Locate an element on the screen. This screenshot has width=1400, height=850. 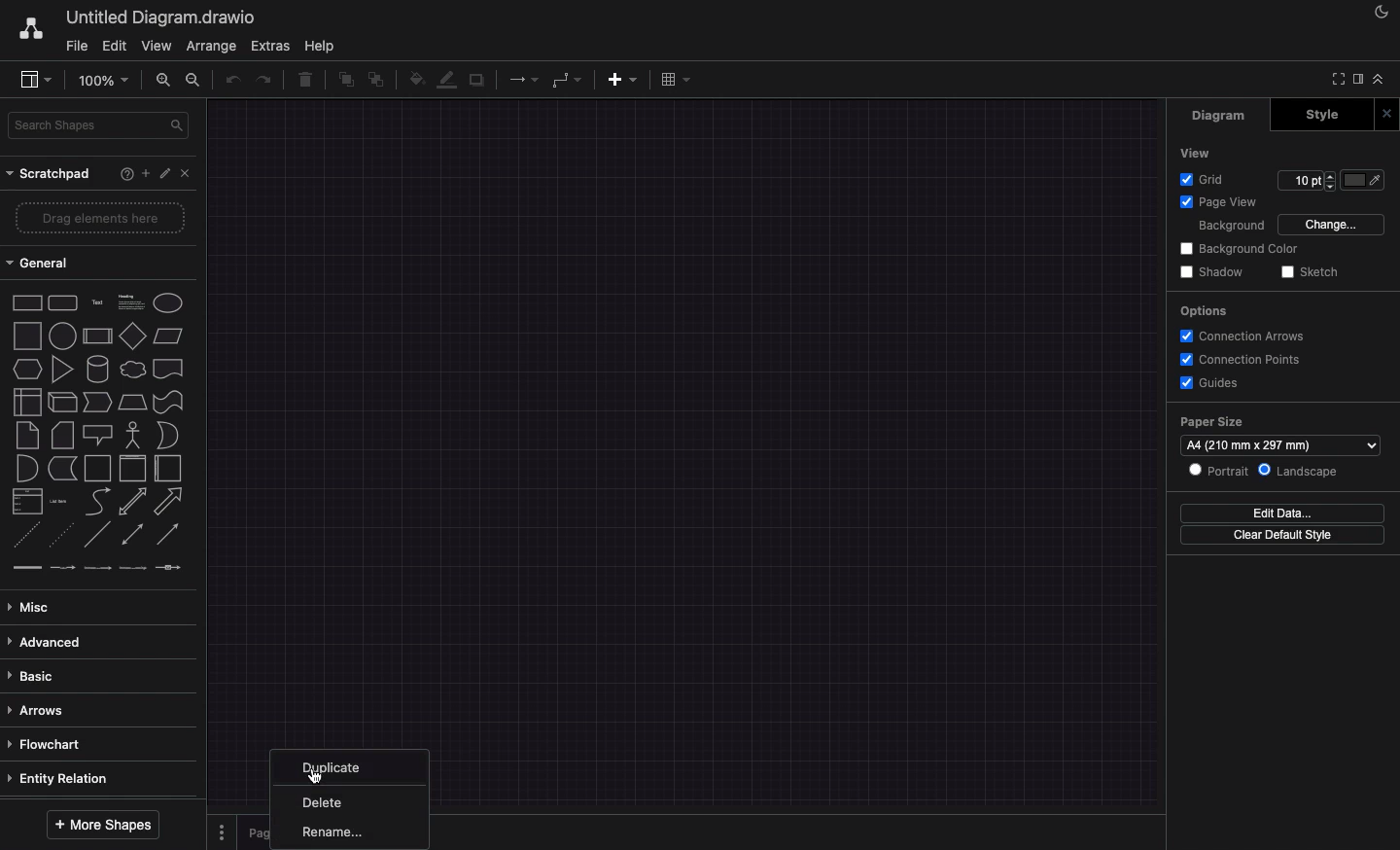
drage elements is located at coordinates (102, 218).